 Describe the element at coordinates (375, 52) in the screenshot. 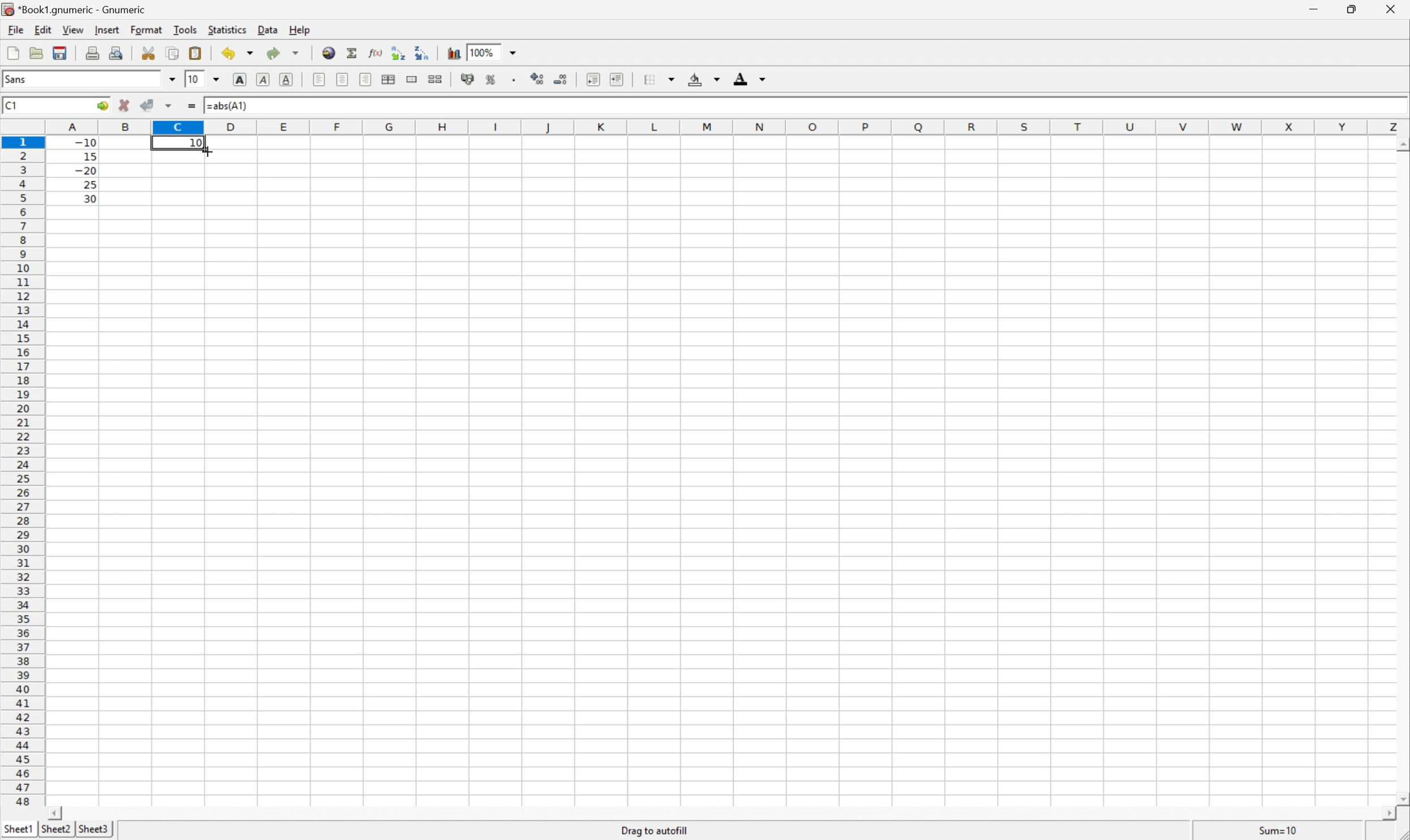

I see `Edit a function in current cell` at that location.